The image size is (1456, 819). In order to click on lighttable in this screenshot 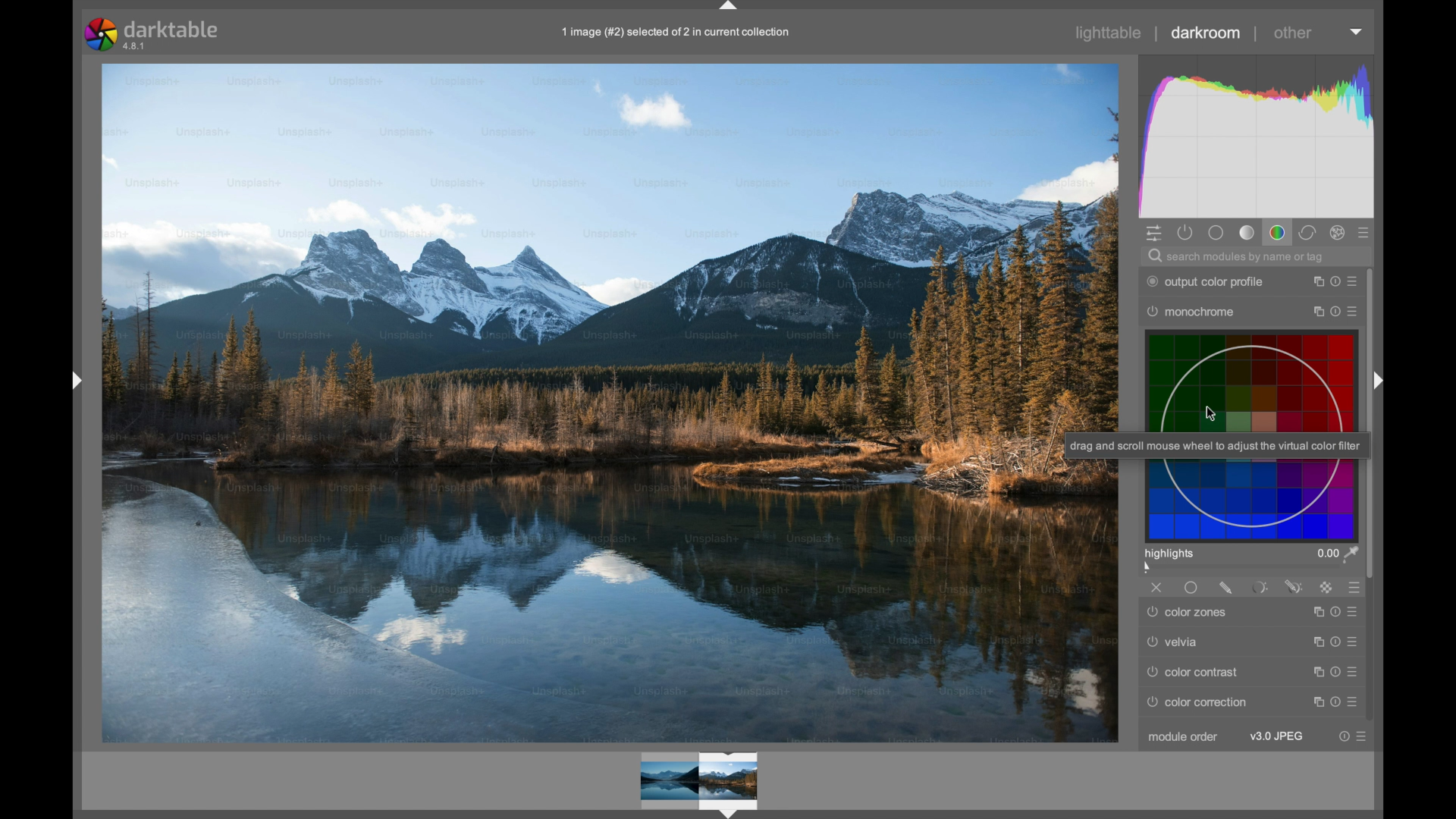, I will do `click(1107, 33)`.